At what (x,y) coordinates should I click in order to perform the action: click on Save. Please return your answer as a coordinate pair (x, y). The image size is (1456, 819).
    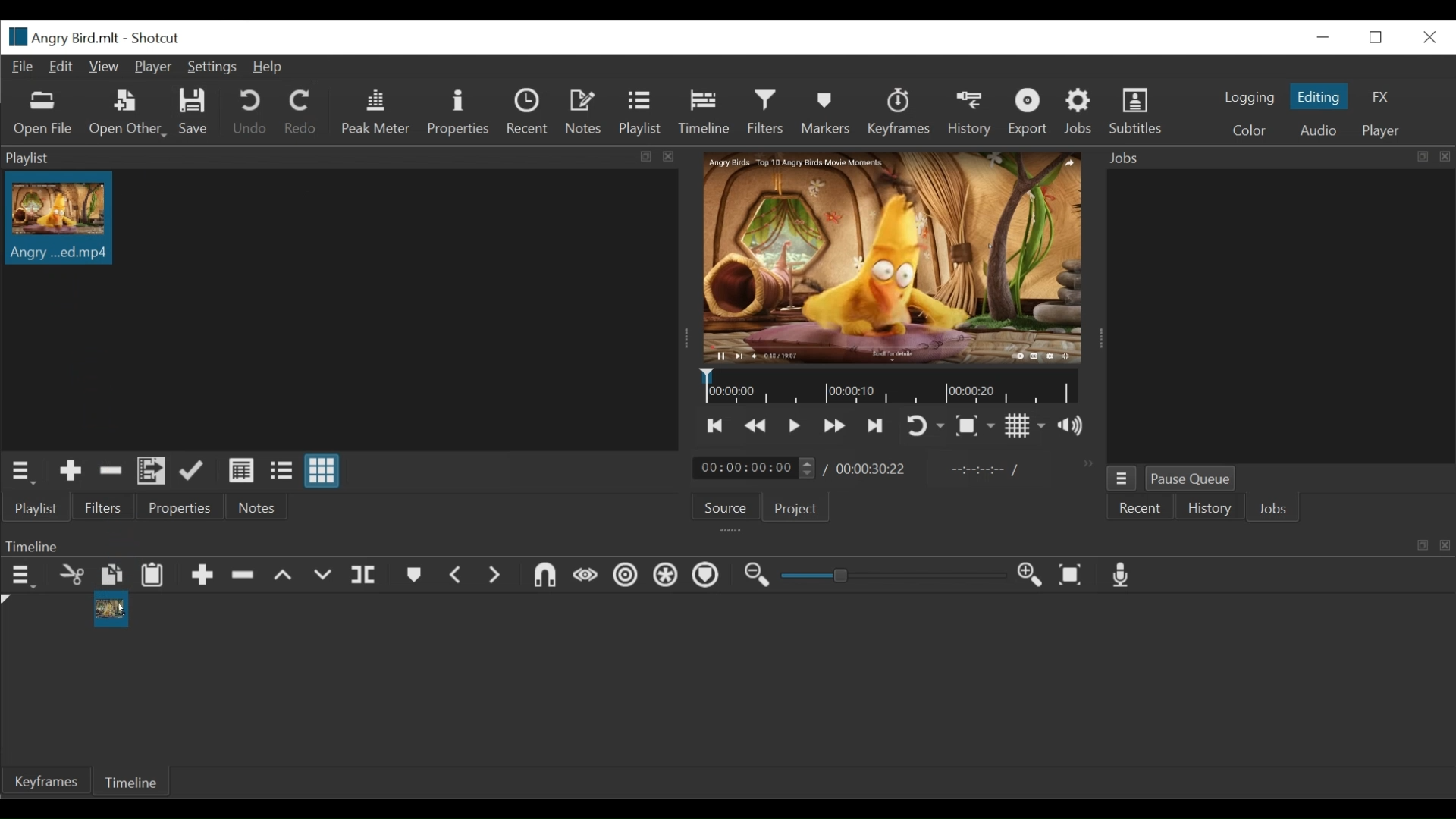
    Looking at the image, I should click on (192, 111).